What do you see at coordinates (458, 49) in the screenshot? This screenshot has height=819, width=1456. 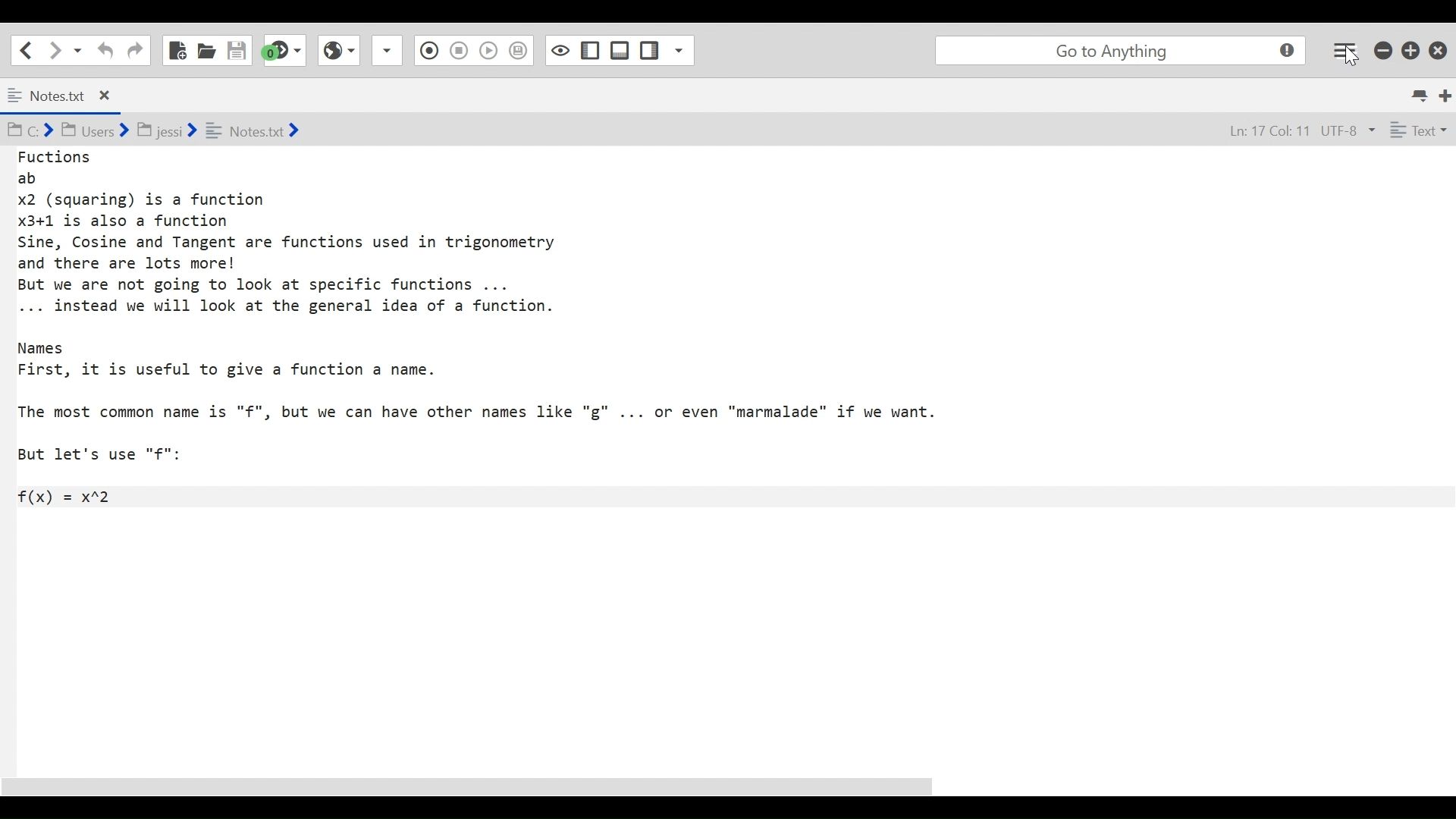 I see `View in Browser` at bounding box center [458, 49].